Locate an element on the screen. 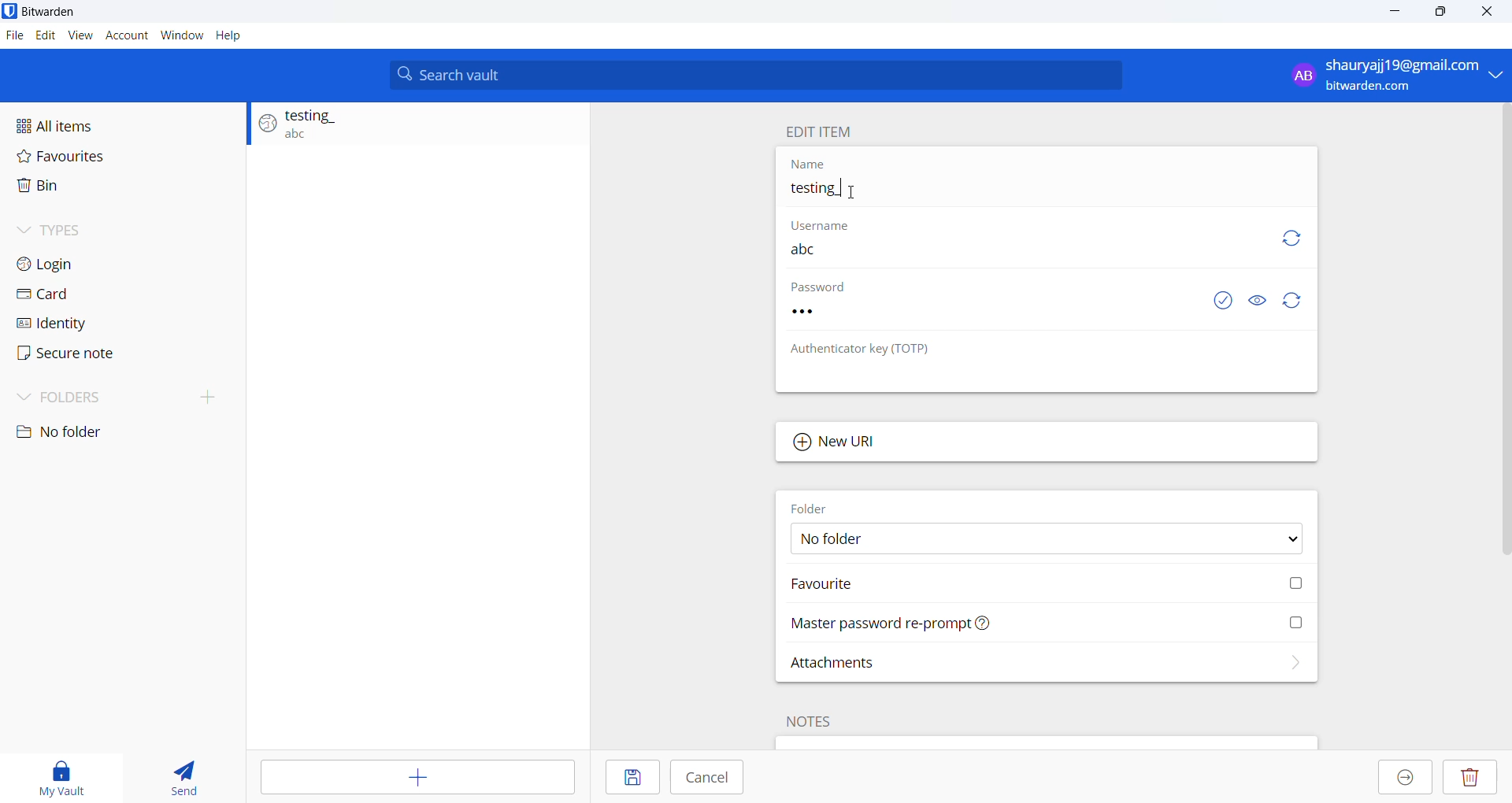 The width and height of the screenshot is (1512, 803). Master password reprompt is located at coordinates (1045, 622).